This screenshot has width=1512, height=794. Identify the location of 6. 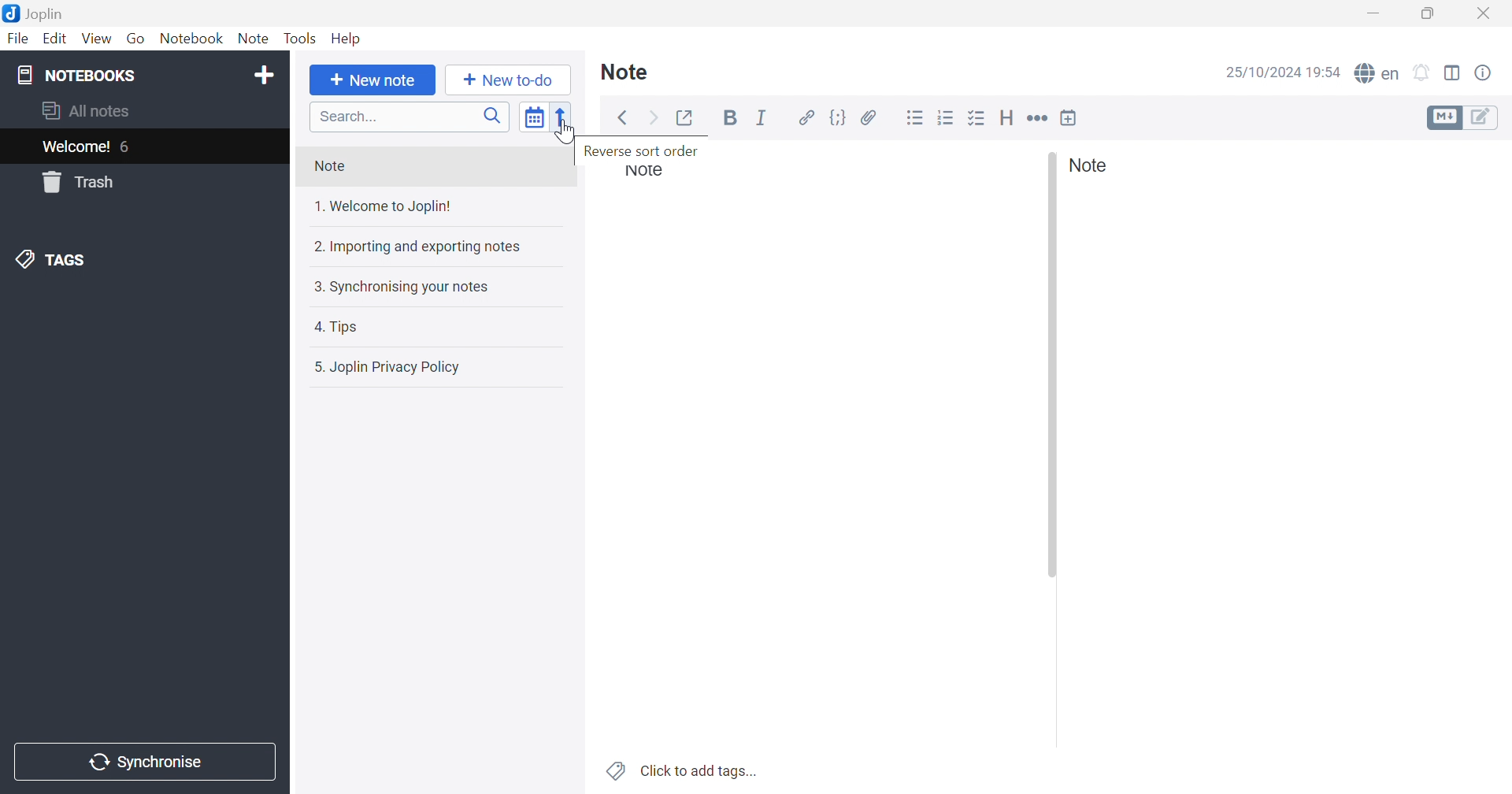
(129, 148).